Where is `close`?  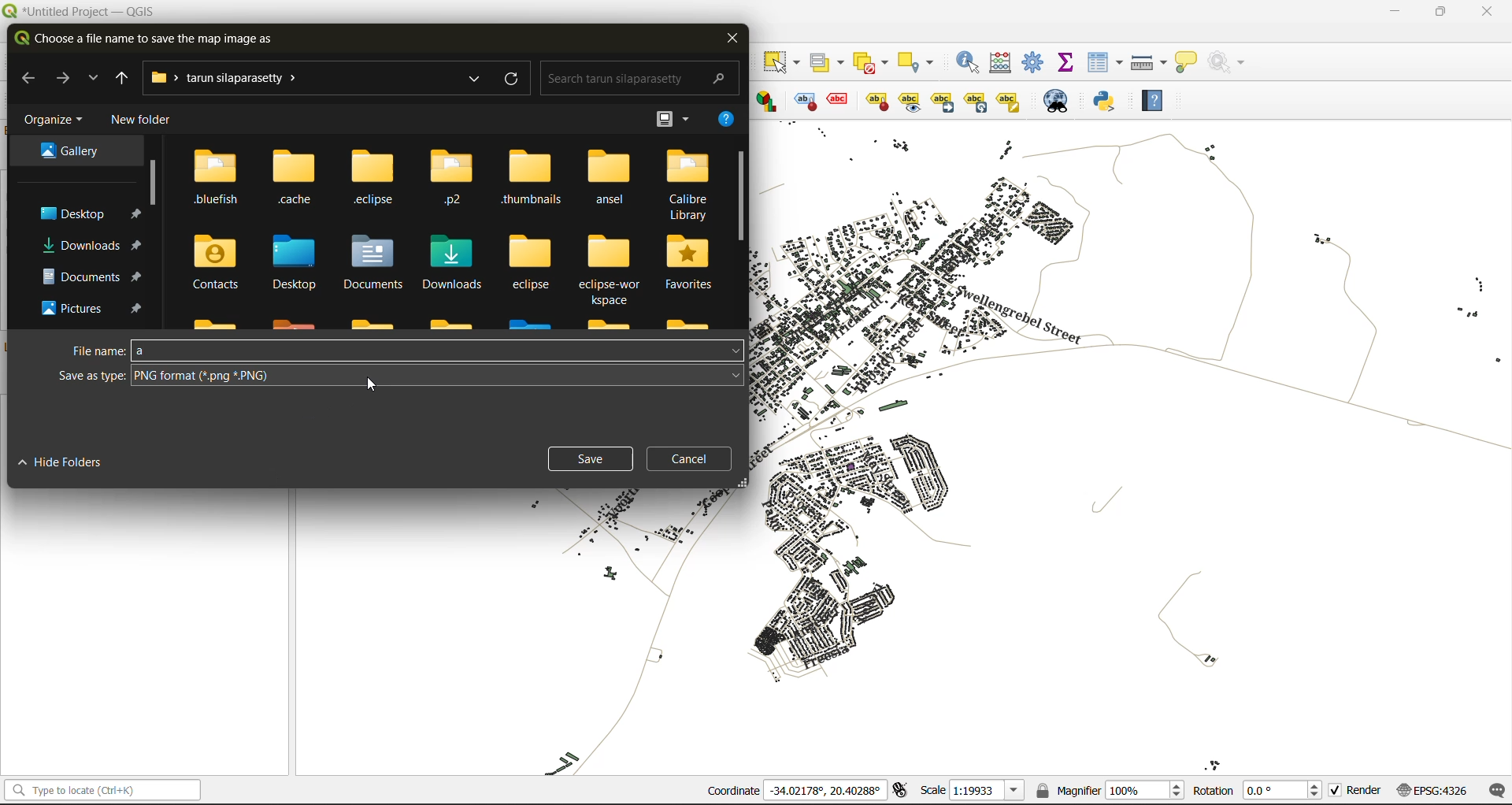 close is located at coordinates (1487, 11).